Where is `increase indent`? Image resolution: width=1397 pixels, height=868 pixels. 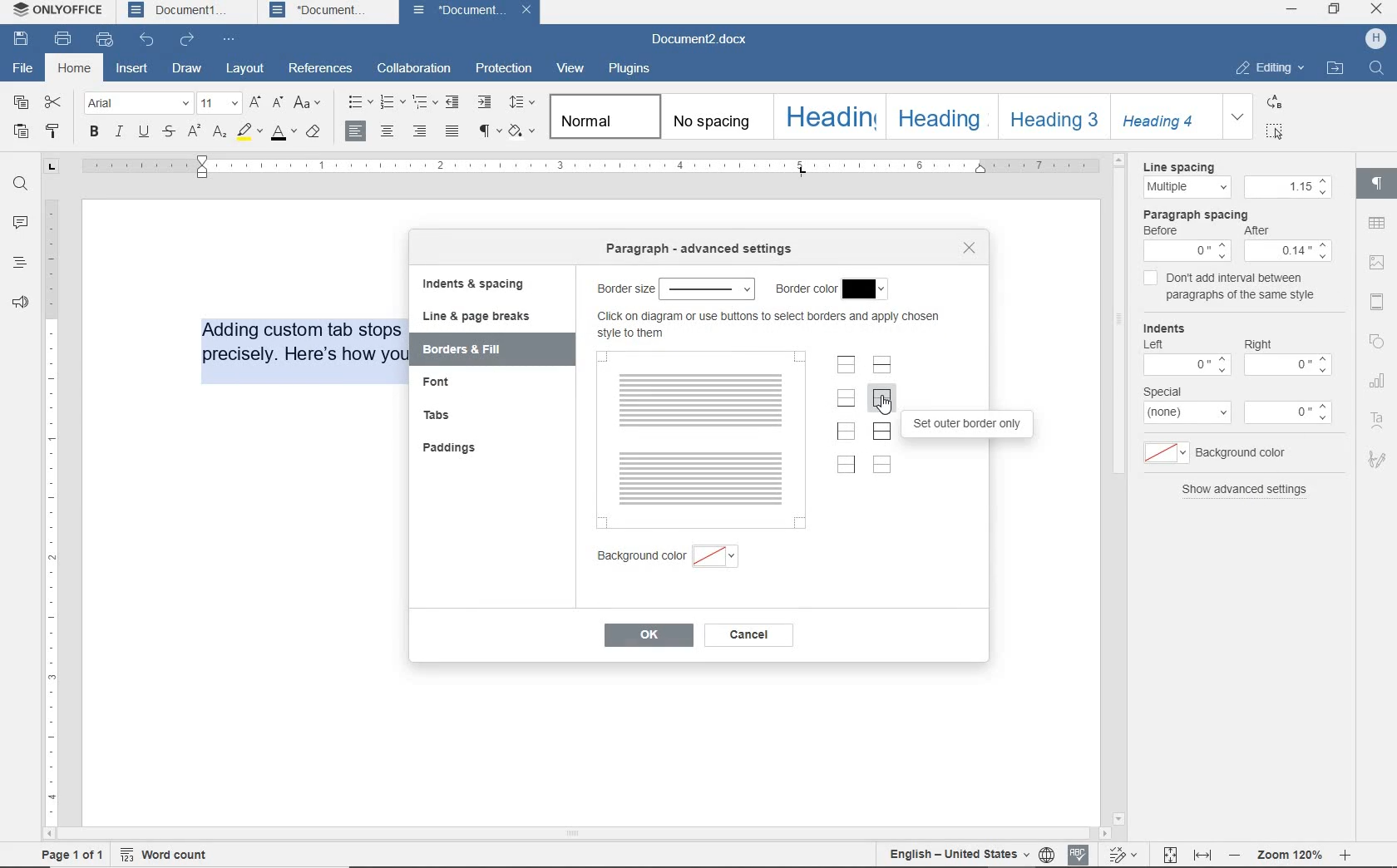 increase indent is located at coordinates (486, 103).